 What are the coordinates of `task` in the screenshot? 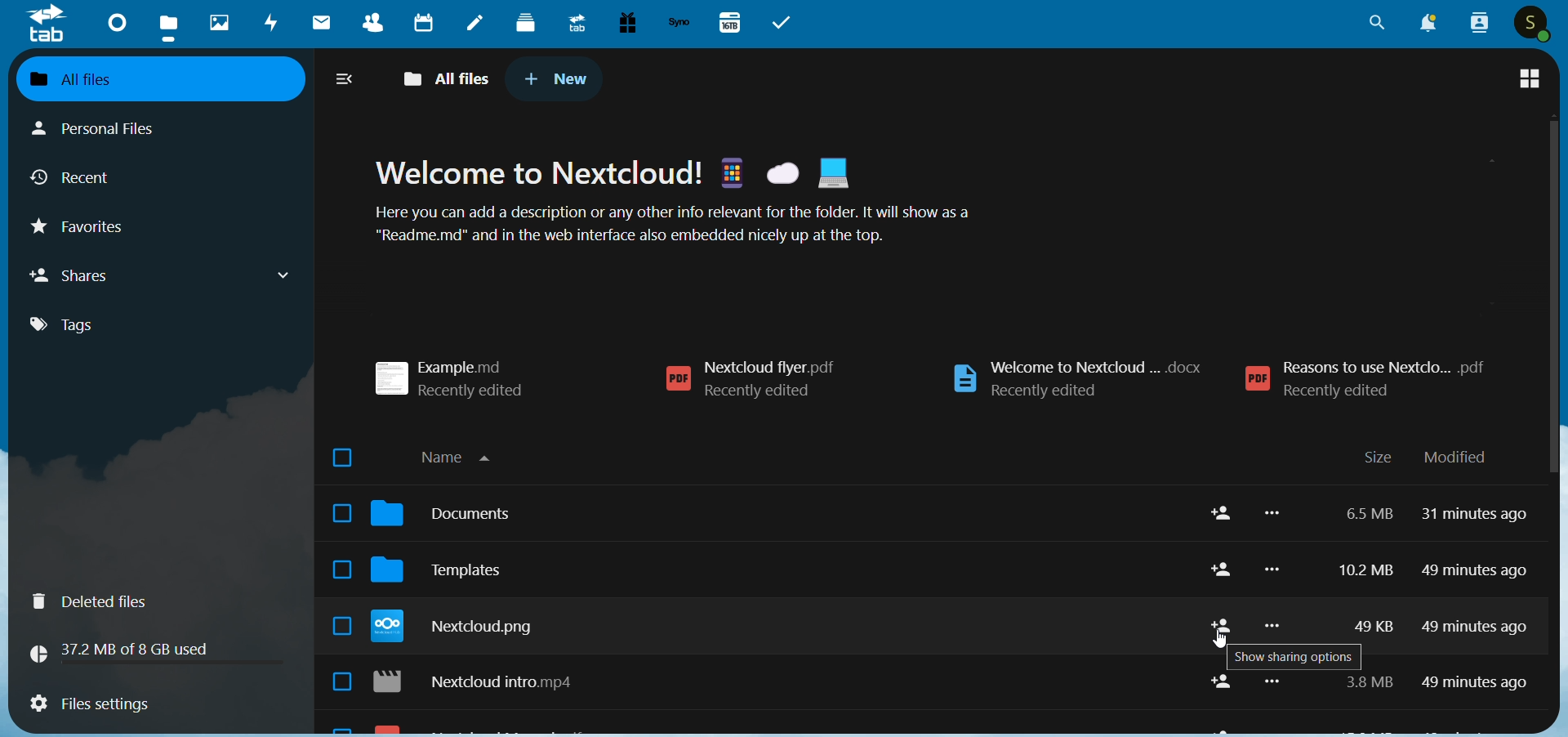 It's located at (786, 23).